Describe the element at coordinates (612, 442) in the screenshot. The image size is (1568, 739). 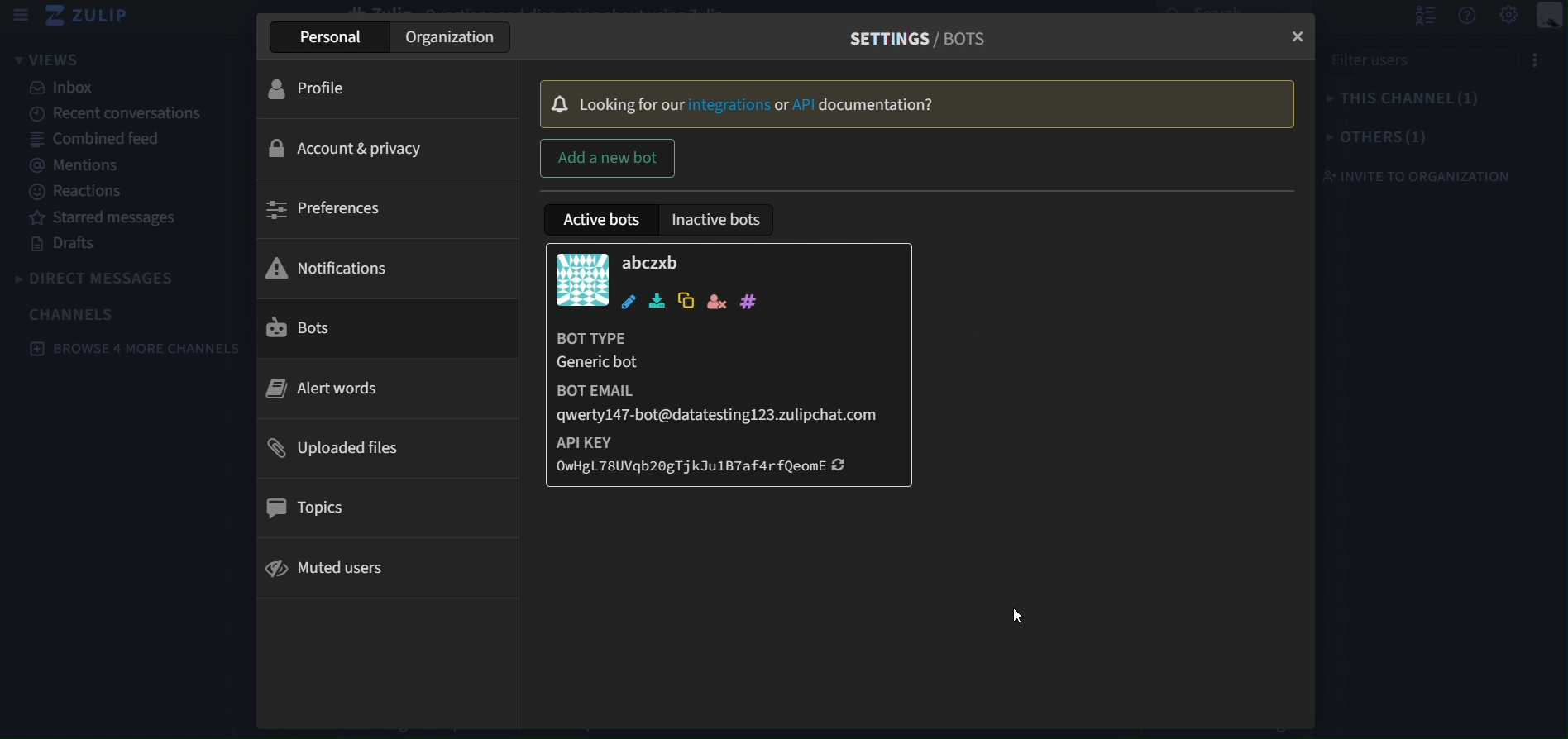
I see `API Key` at that location.